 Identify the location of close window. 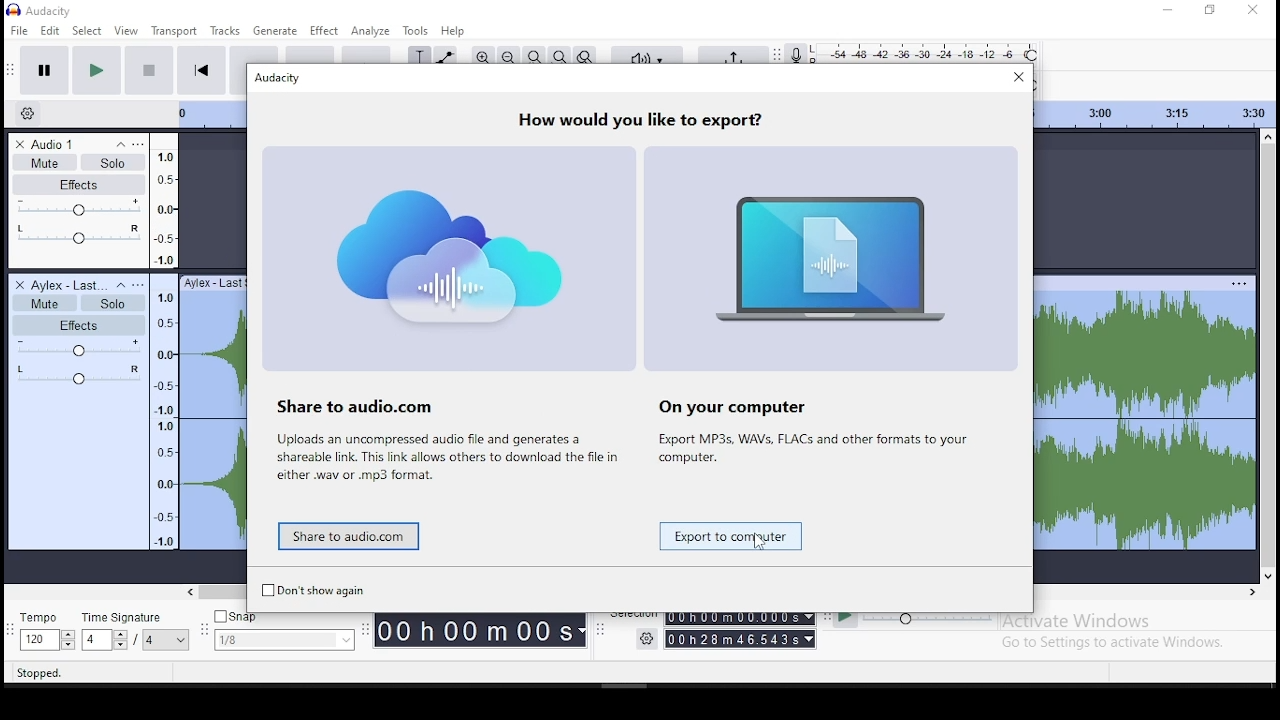
(1257, 10).